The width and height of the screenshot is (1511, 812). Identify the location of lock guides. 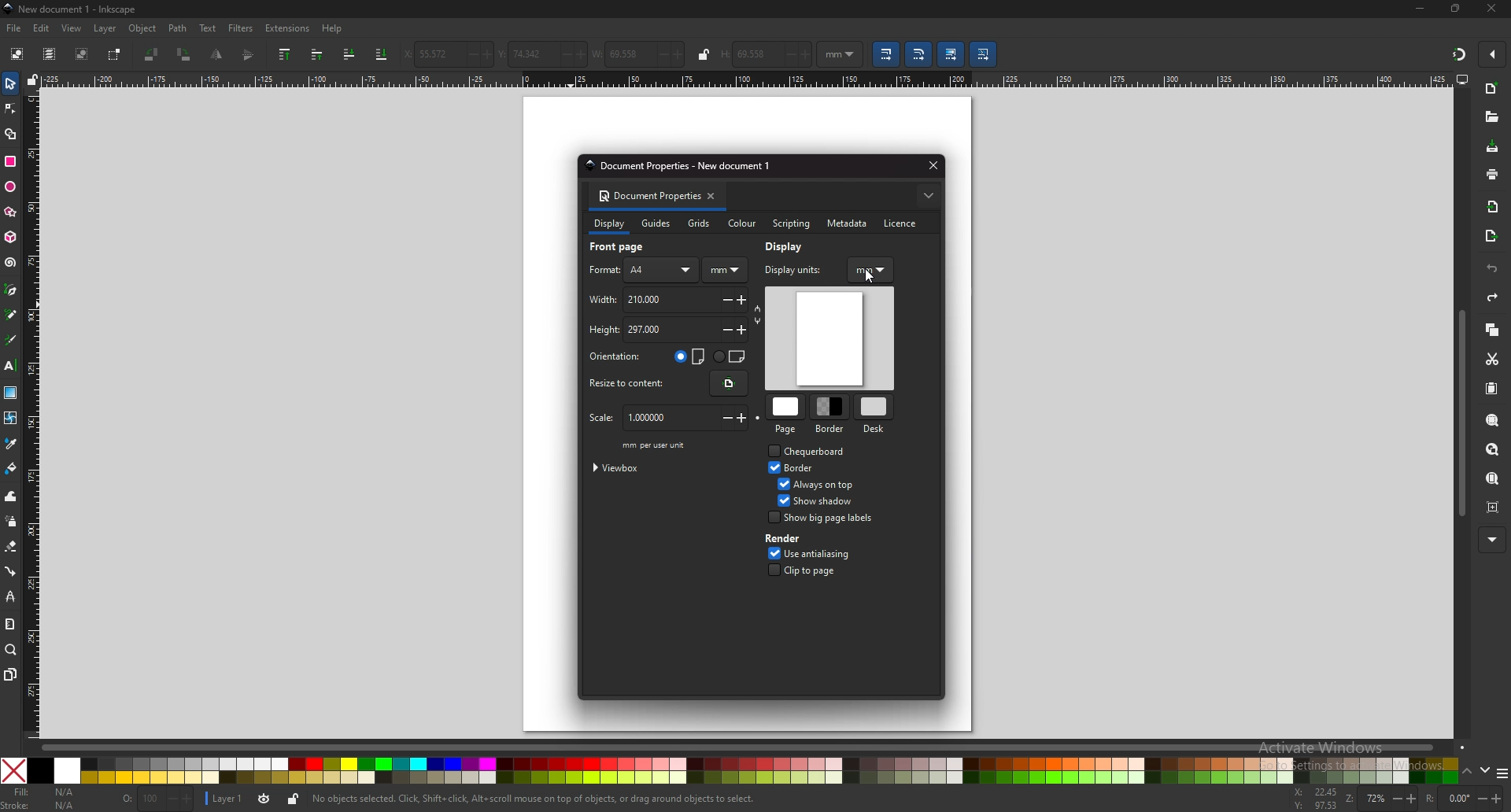
(32, 80).